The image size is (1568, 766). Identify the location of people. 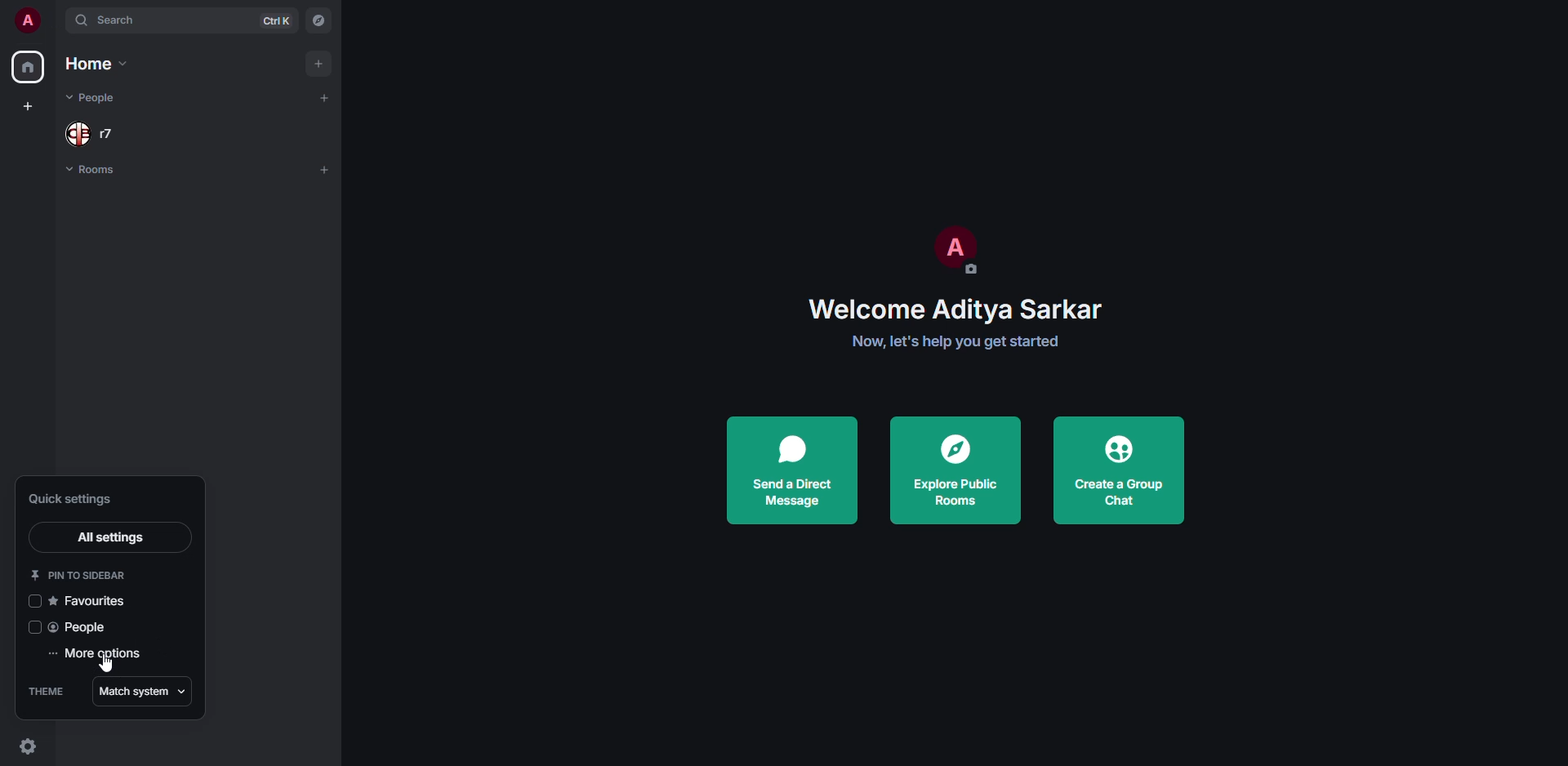
(91, 133).